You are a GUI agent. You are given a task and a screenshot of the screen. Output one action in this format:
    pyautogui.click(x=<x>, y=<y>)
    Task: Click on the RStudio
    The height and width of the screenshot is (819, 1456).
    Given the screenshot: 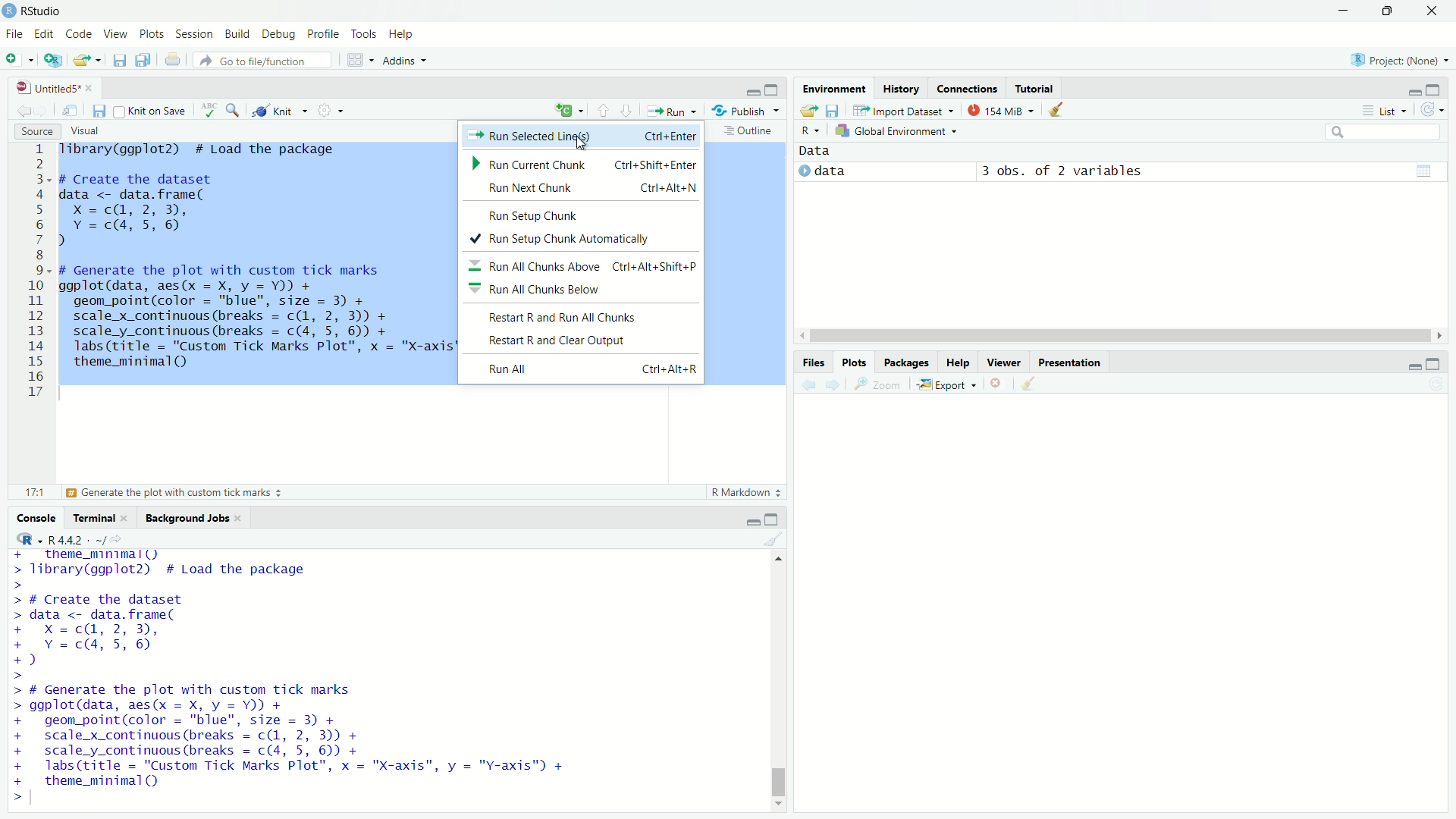 What is the action you would take?
    pyautogui.click(x=44, y=11)
    